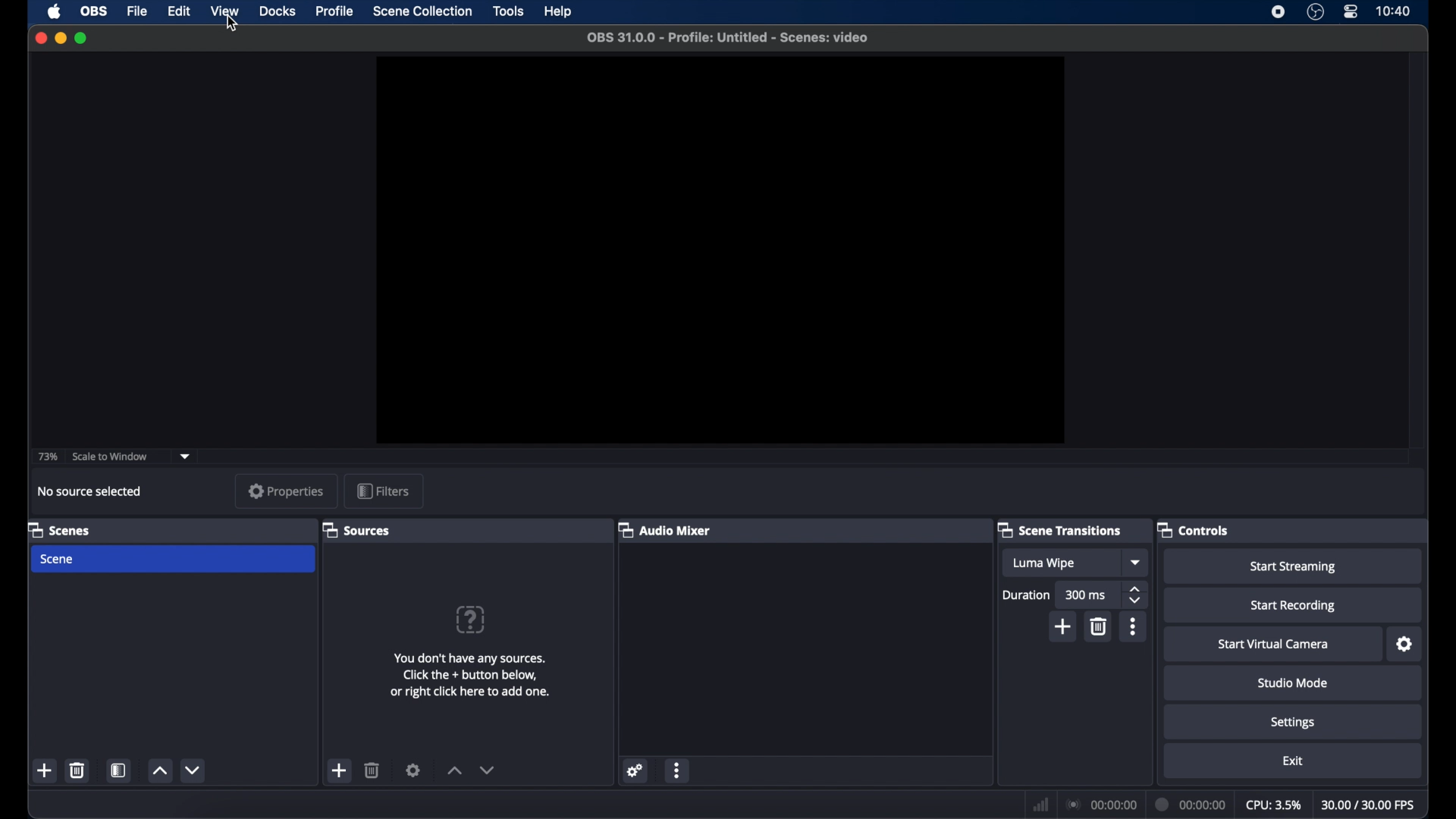  Describe the element at coordinates (422, 11) in the screenshot. I see `scene collection` at that location.